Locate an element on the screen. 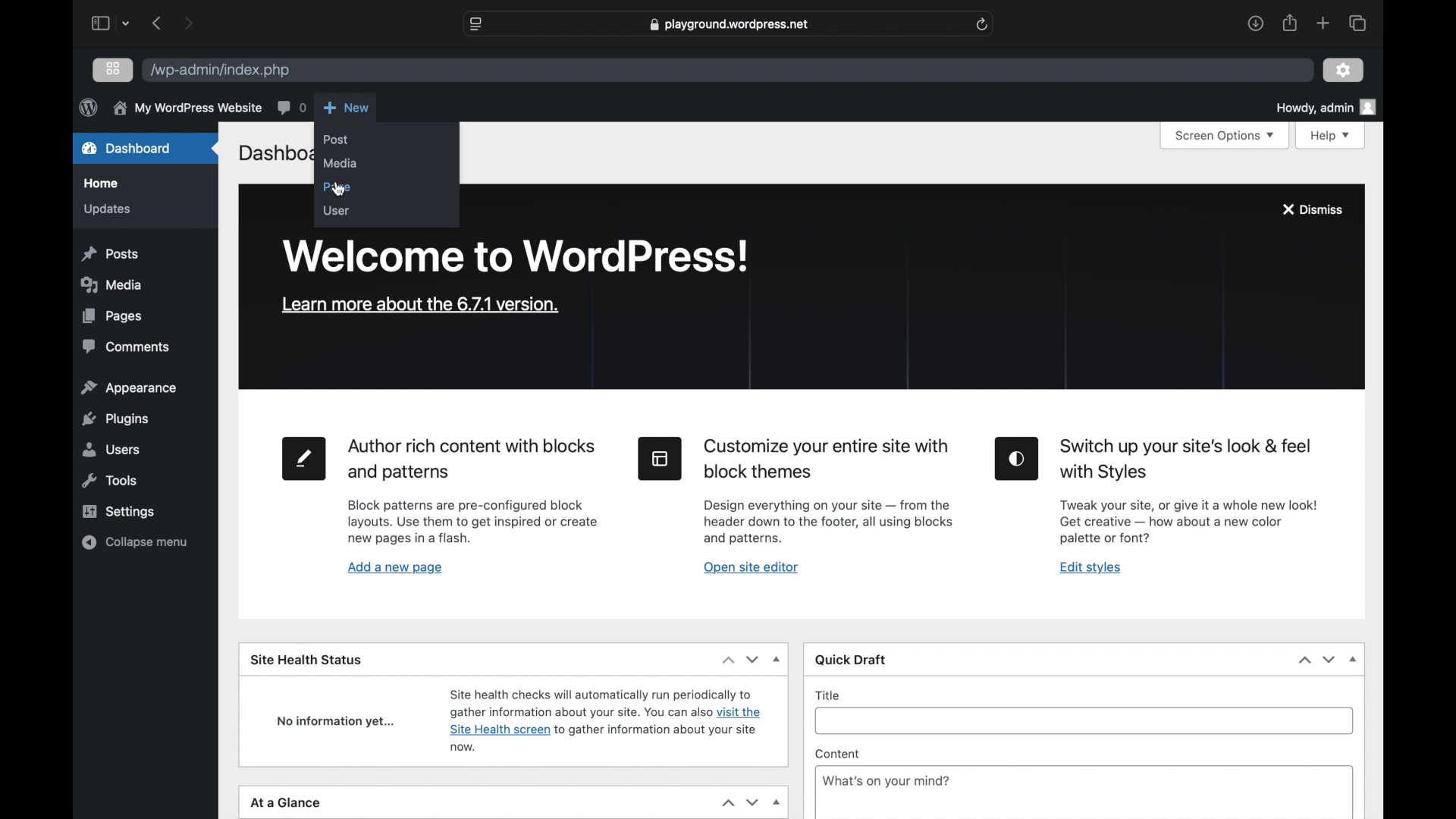 The image size is (1456, 819). tab groupnpiccker is located at coordinates (126, 24).